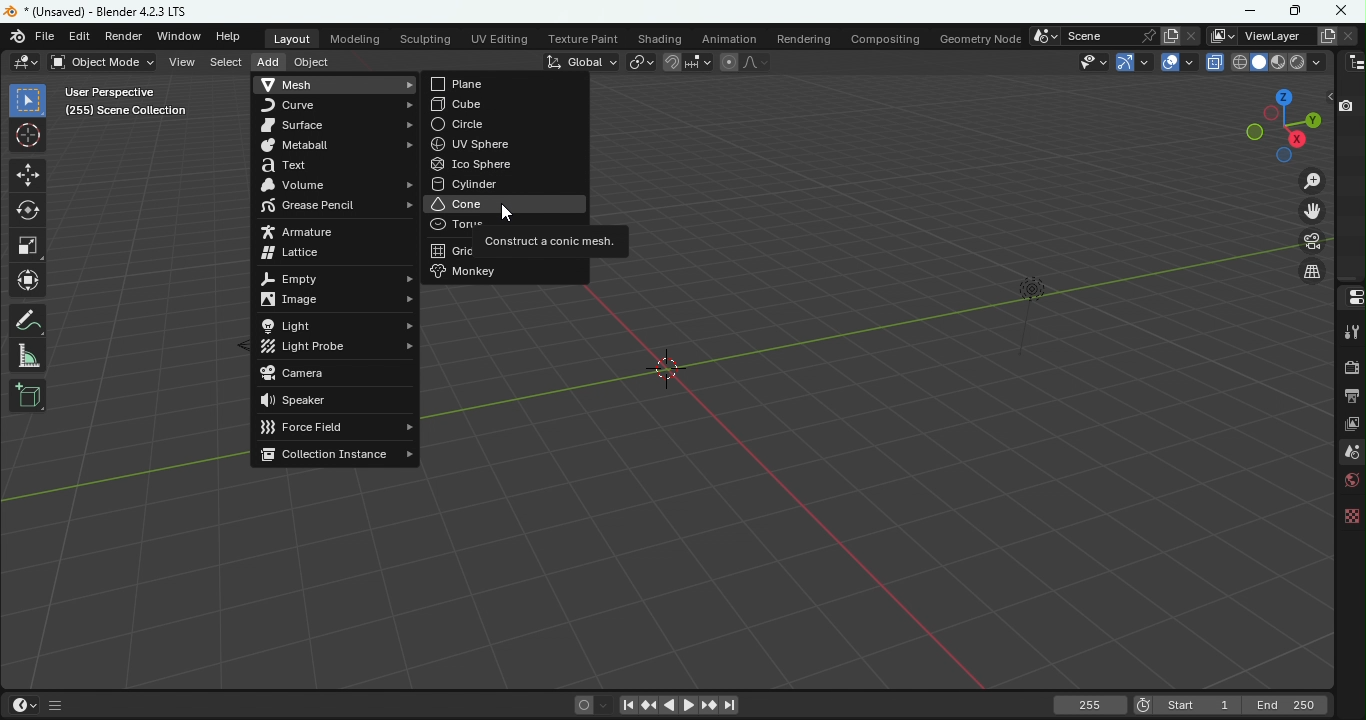 The height and width of the screenshot is (720, 1366). I want to click on Jump to next/previous keyframe, so click(649, 705).